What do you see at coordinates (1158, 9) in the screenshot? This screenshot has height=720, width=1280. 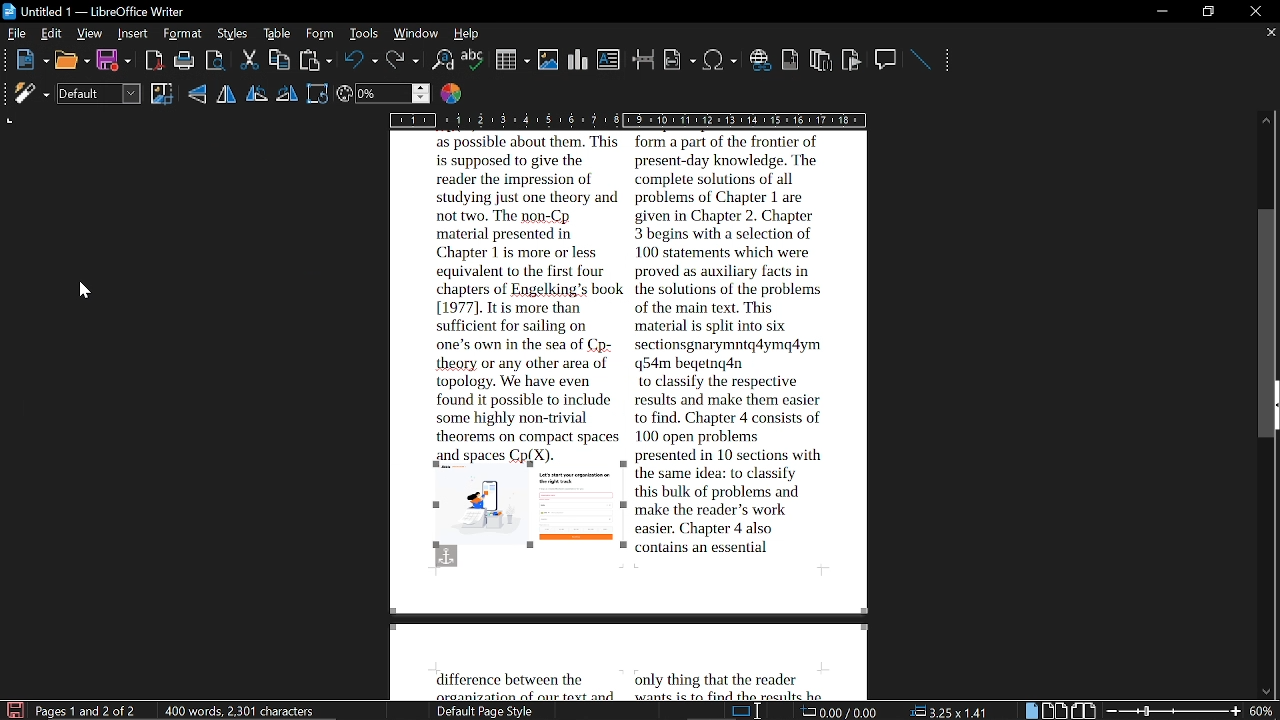 I see `minimize` at bounding box center [1158, 9].